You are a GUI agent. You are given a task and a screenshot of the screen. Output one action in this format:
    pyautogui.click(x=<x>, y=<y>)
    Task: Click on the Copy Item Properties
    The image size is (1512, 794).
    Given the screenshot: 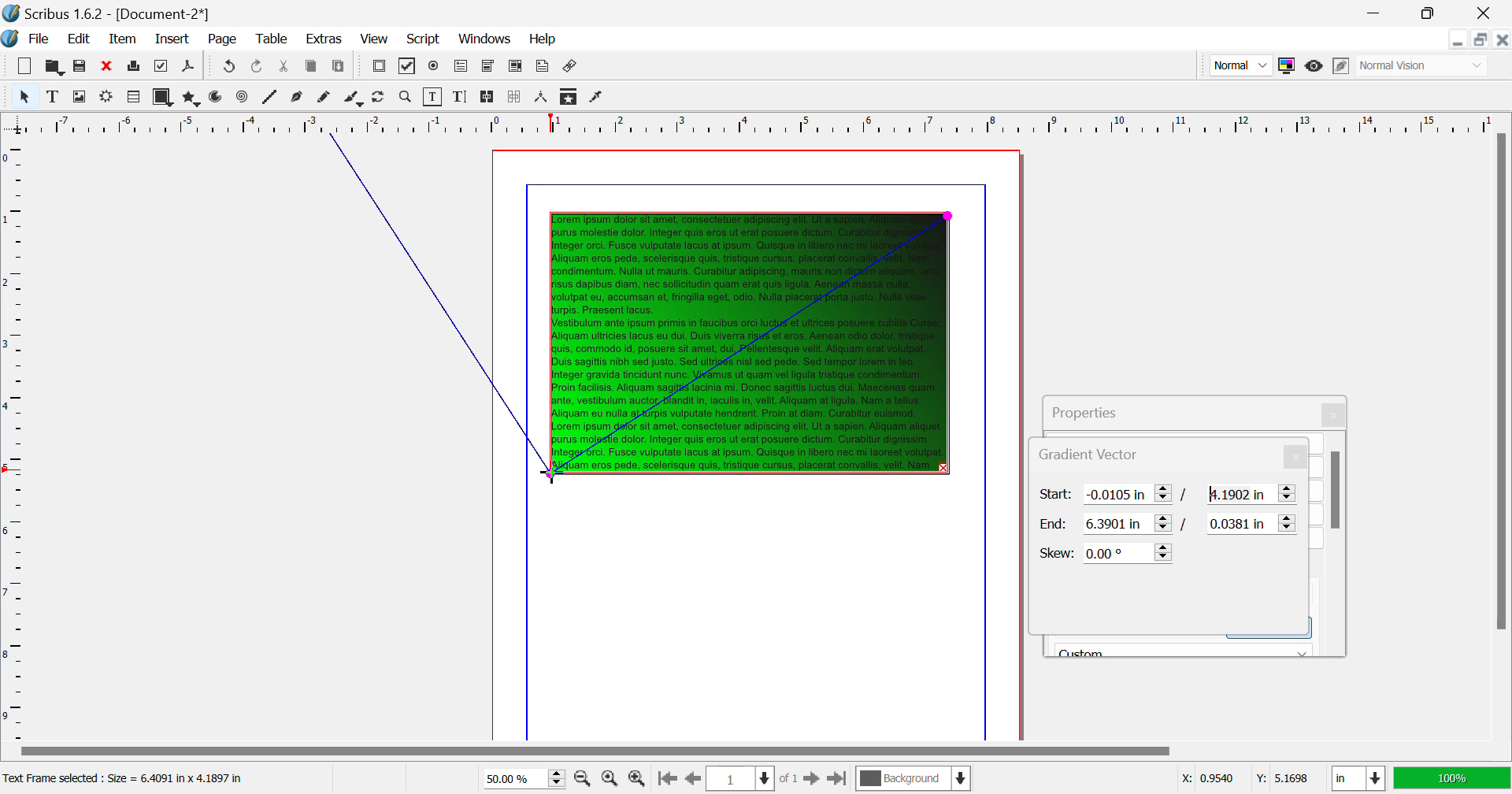 What is the action you would take?
    pyautogui.click(x=570, y=96)
    